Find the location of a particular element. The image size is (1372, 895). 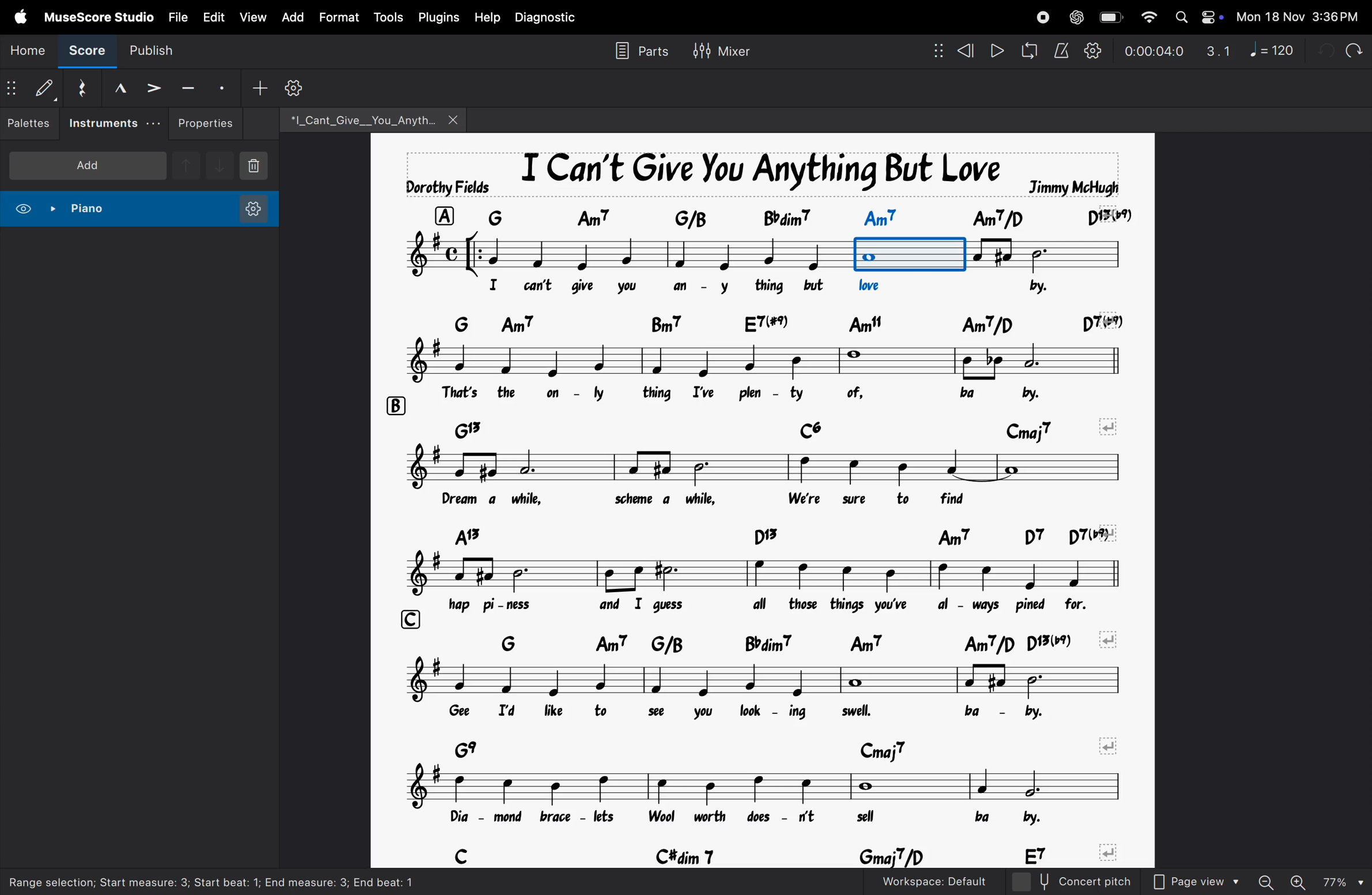

apple menu is located at coordinates (16, 17).